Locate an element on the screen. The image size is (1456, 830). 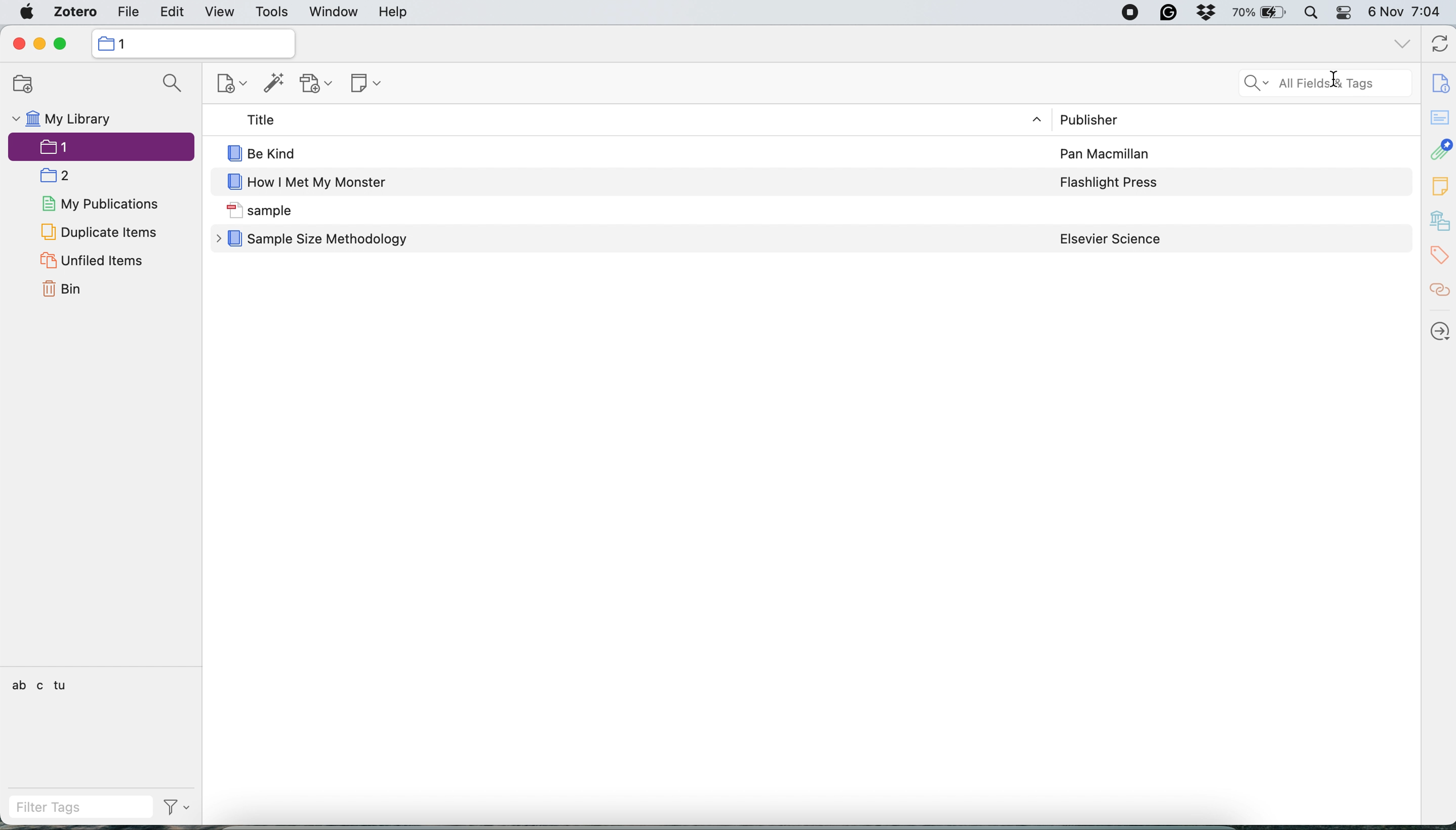
cursor is located at coordinates (1335, 82).